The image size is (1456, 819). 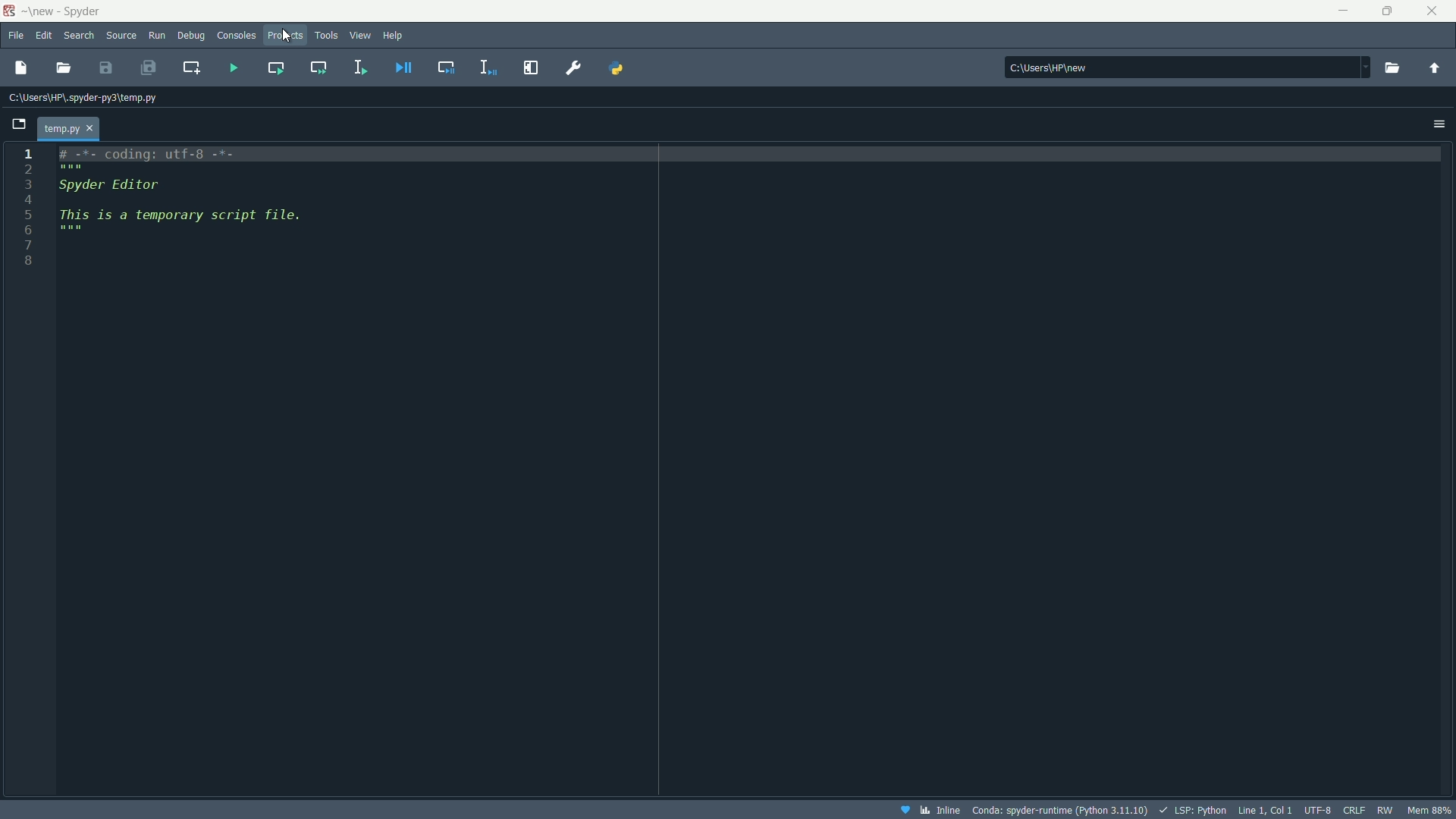 What do you see at coordinates (1185, 65) in the screenshot?
I see `C:\Users\HP\new` at bounding box center [1185, 65].